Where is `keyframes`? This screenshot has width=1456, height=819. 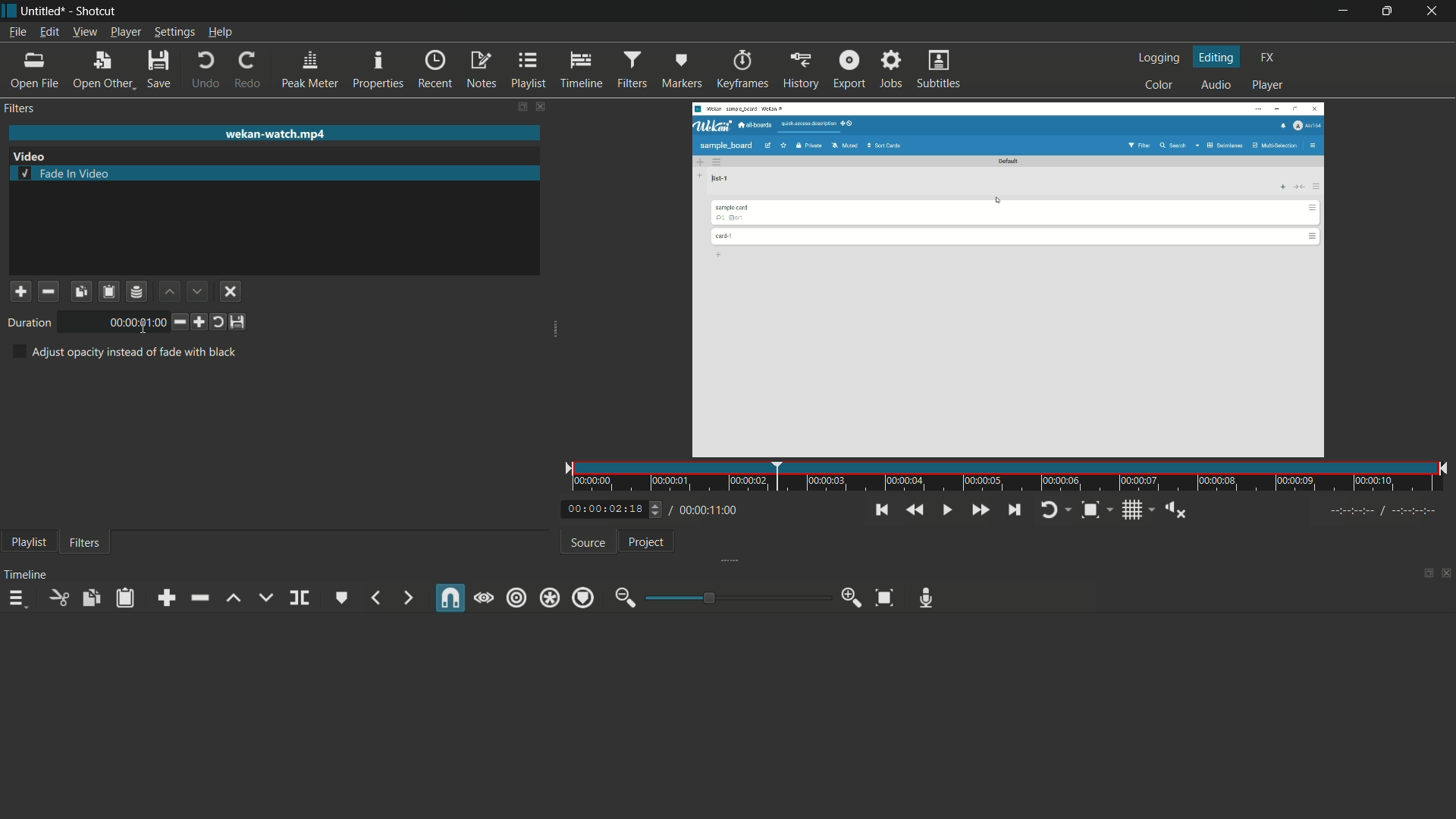 keyframes is located at coordinates (742, 71).